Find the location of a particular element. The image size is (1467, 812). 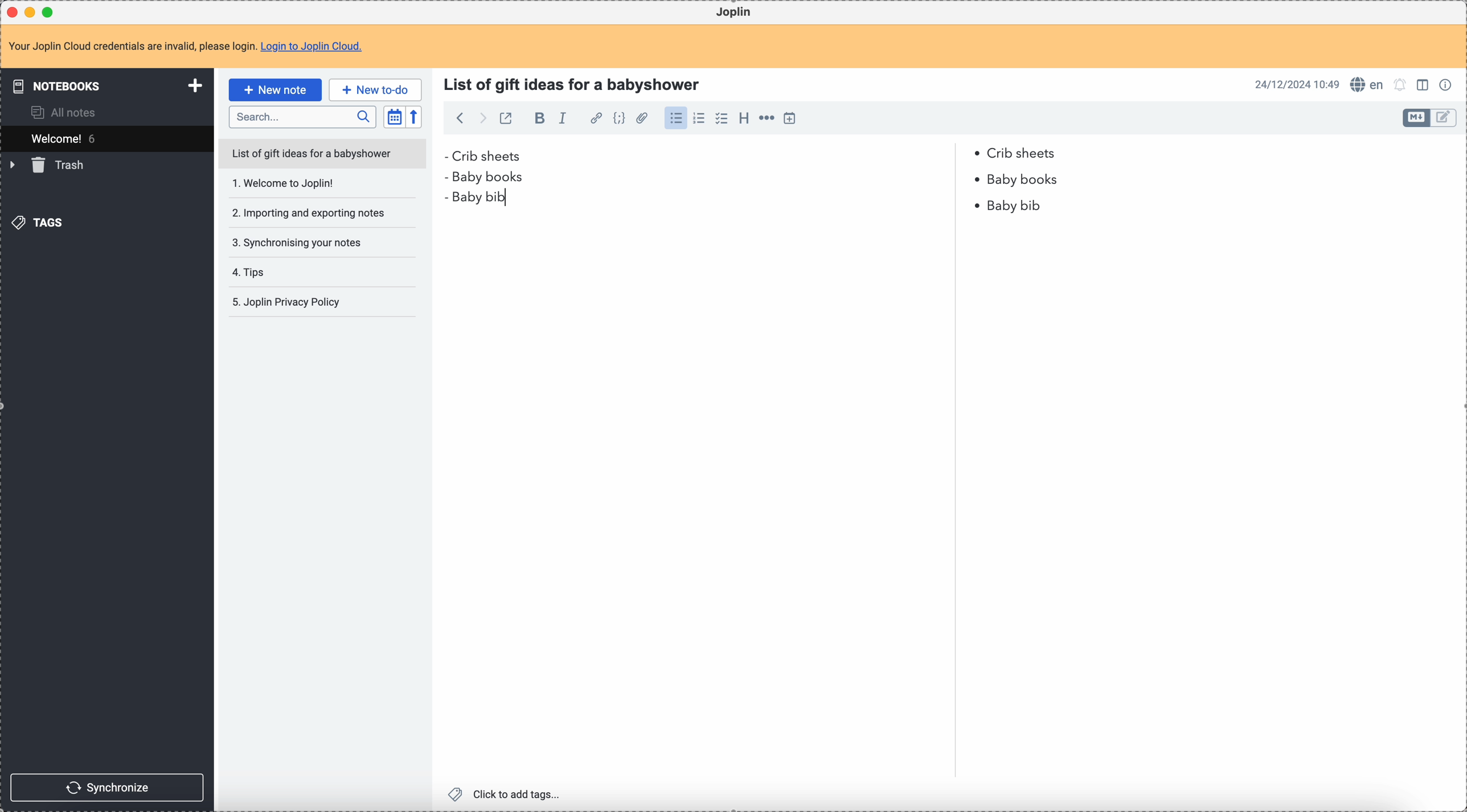

horizontal rule is located at coordinates (768, 119).